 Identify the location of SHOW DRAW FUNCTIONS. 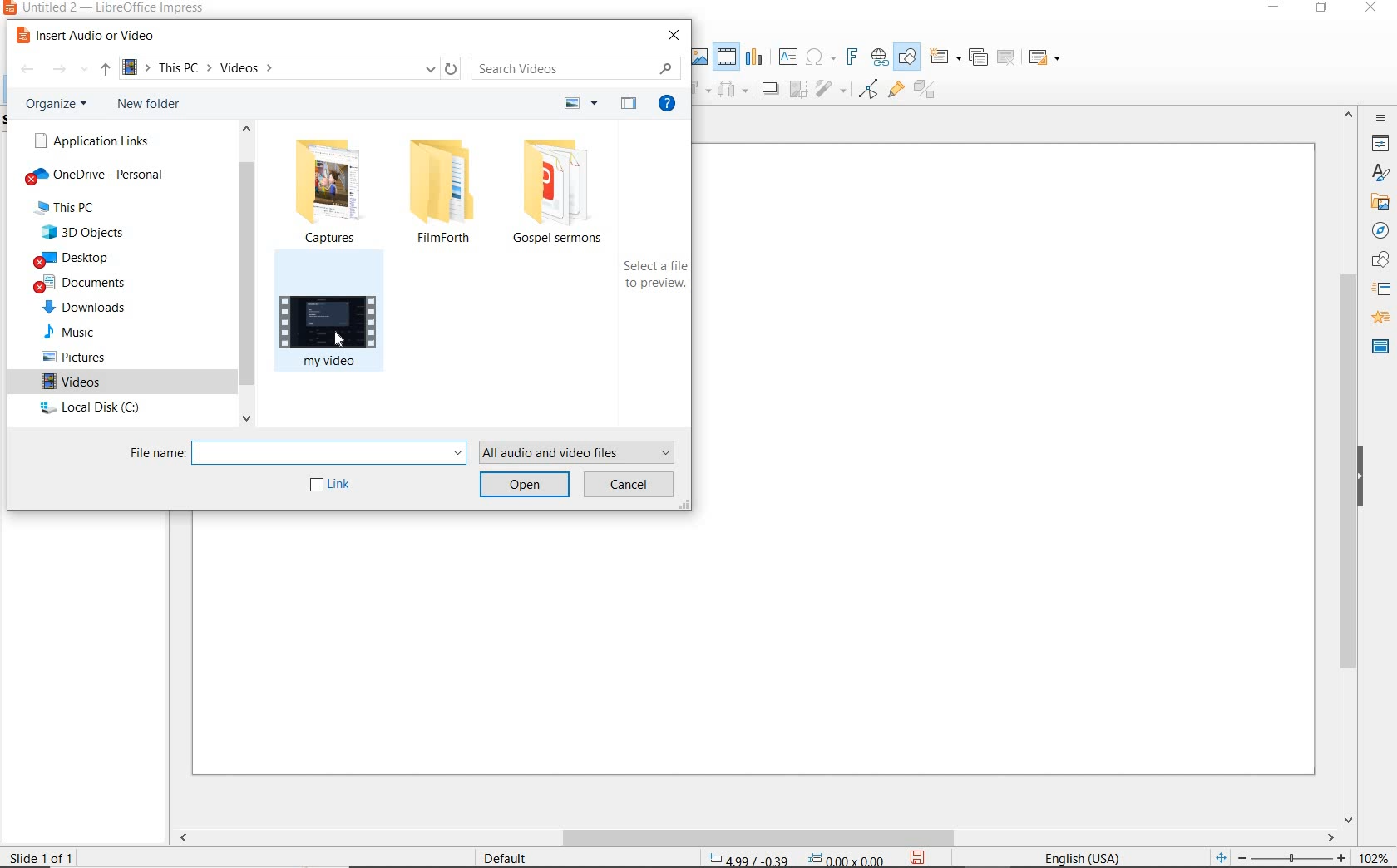
(909, 57).